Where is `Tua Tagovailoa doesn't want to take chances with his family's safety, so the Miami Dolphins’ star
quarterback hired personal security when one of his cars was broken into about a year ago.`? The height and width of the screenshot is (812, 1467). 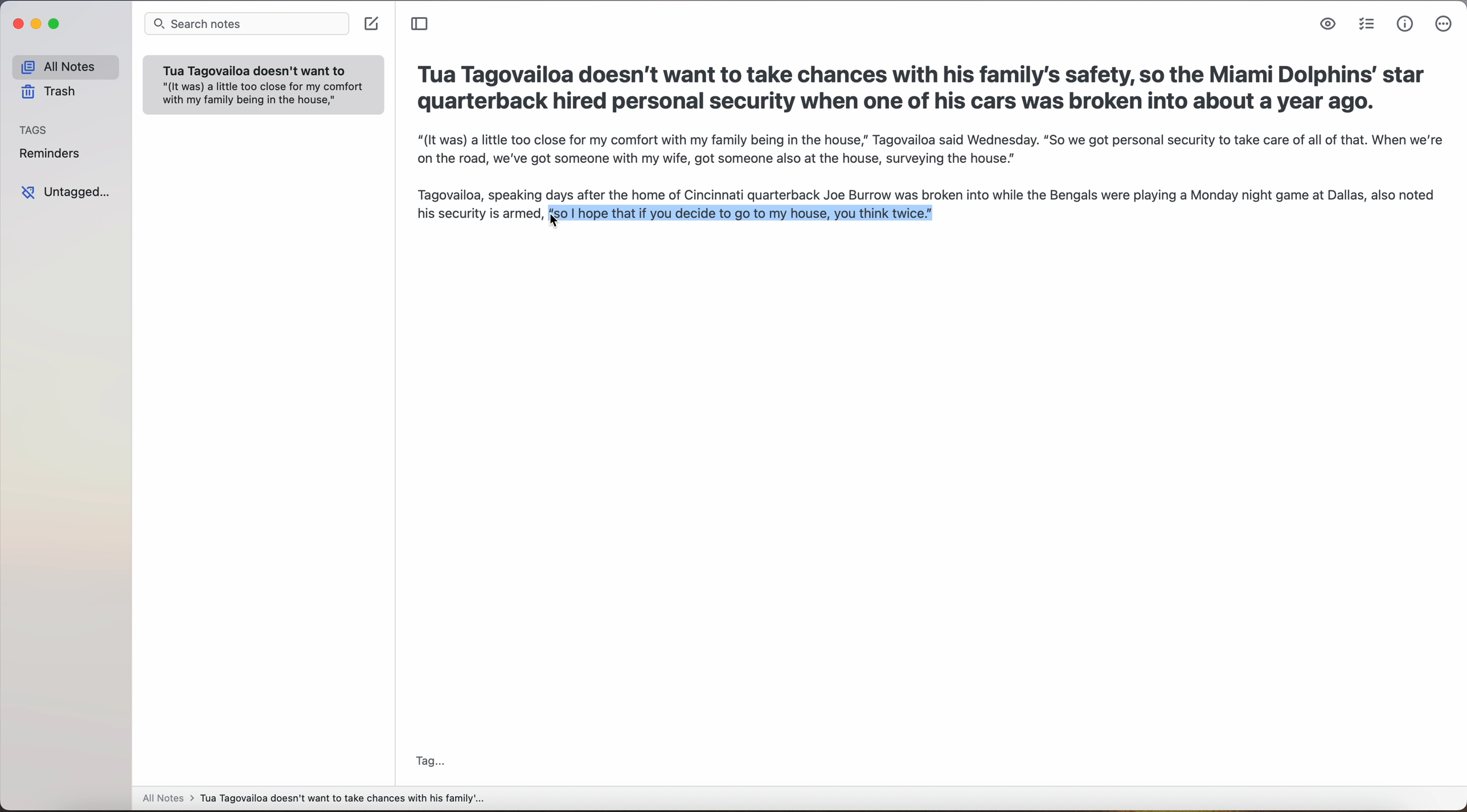
Tua Tagovailoa doesn't want to take chances with his family's safety, so the Miami Dolphins’ star
quarterback hired personal security when one of his cars was broken into about a year ago. is located at coordinates (923, 87).